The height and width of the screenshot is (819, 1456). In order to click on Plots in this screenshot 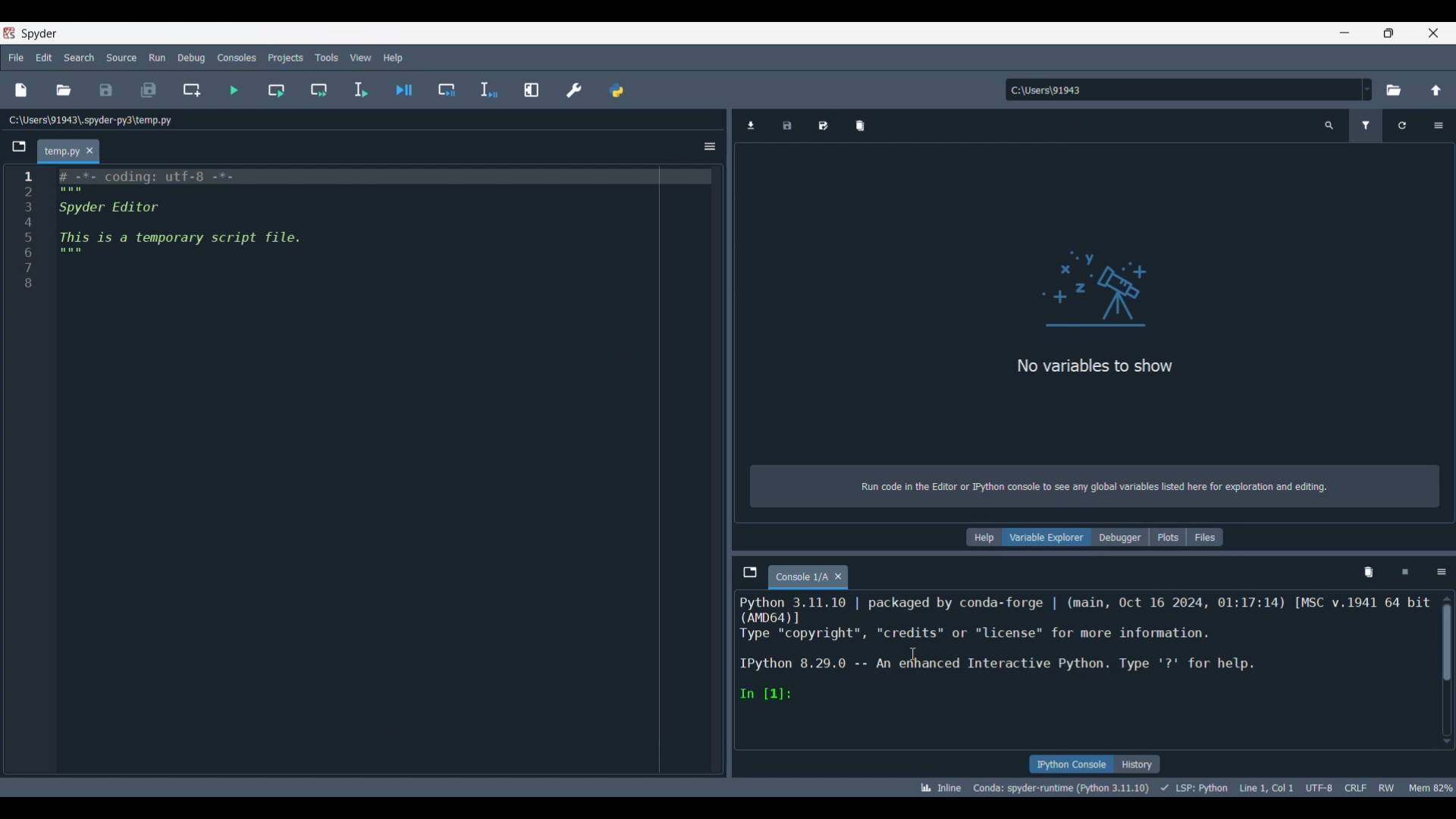, I will do `click(1168, 537)`.